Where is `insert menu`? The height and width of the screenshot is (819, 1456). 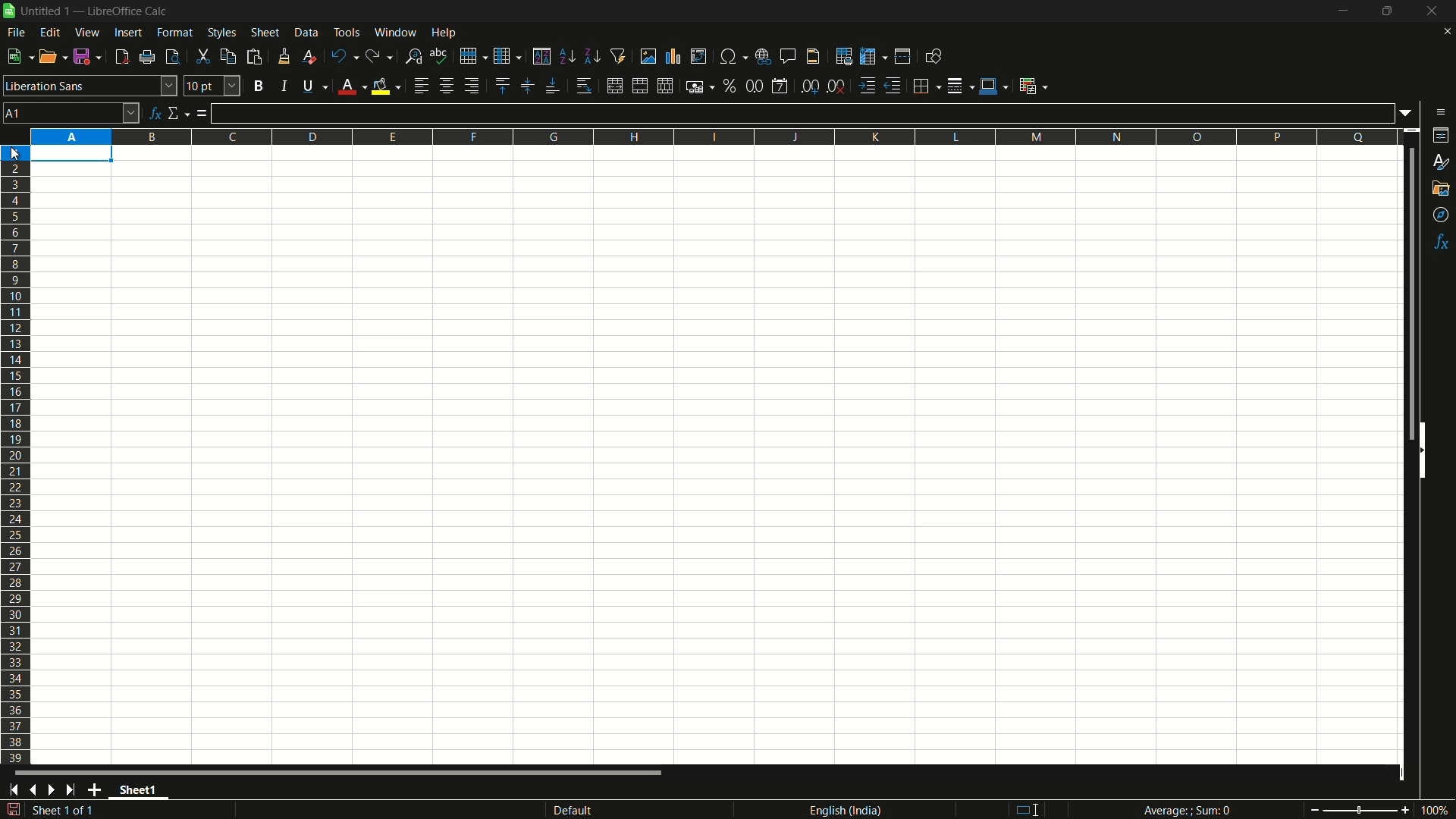 insert menu is located at coordinates (127, 33).